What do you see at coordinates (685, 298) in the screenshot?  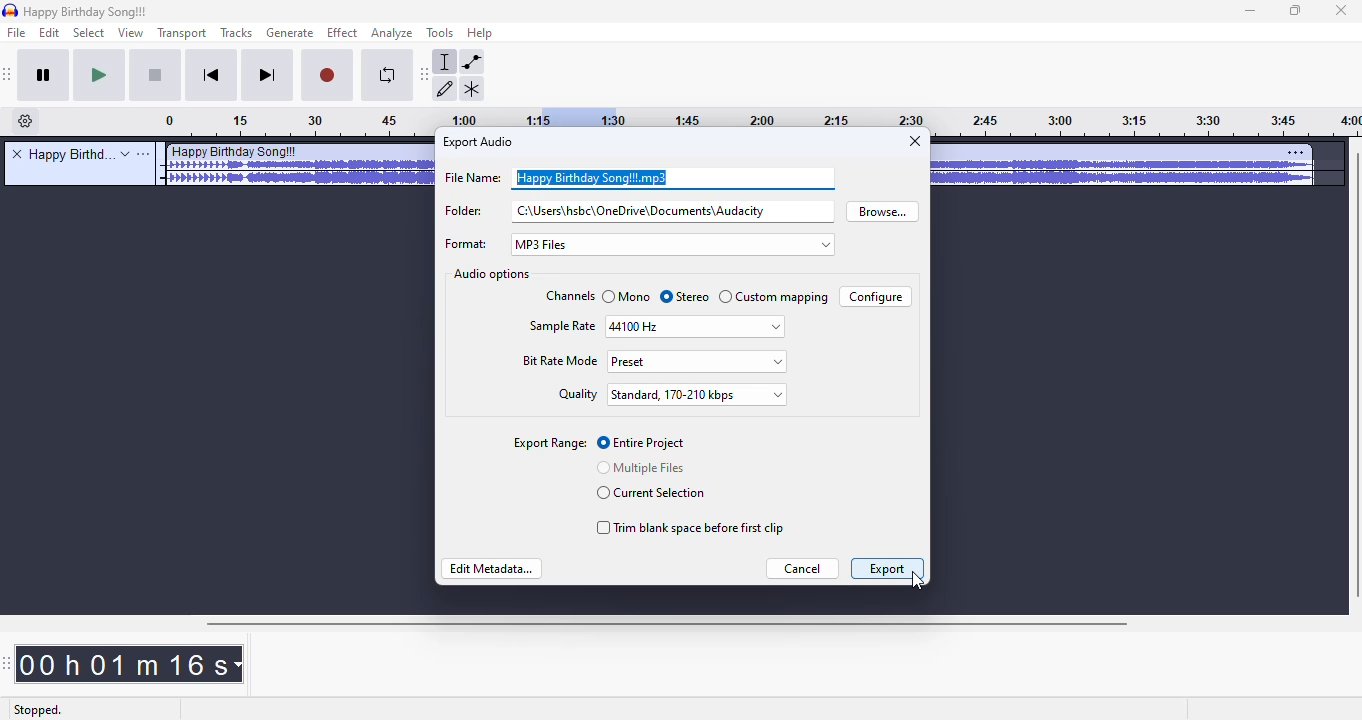 I see `stereo` at bounding box center [685, 298].